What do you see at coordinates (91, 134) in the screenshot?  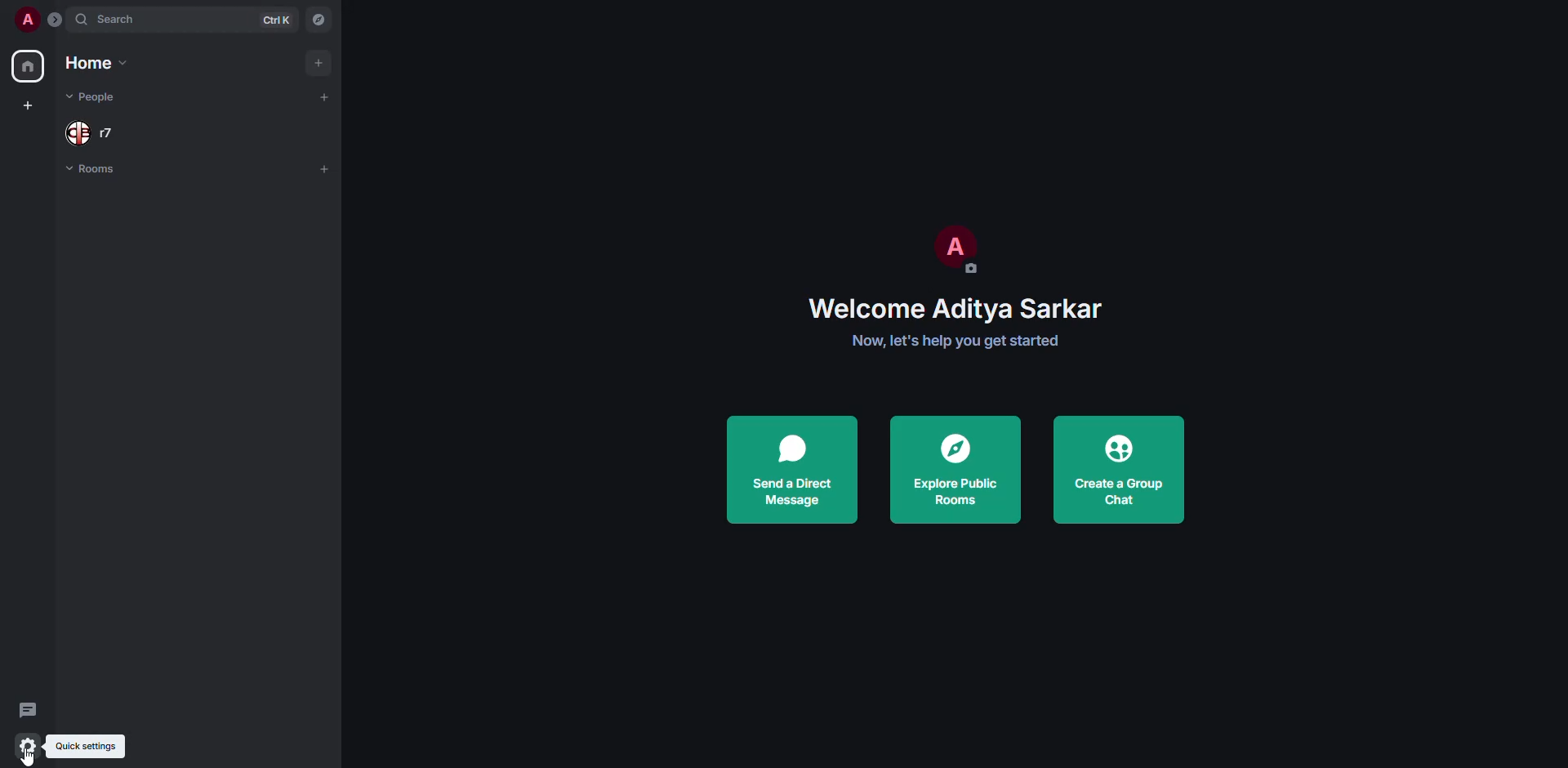 I see `people` at bounding box center [91, 134].